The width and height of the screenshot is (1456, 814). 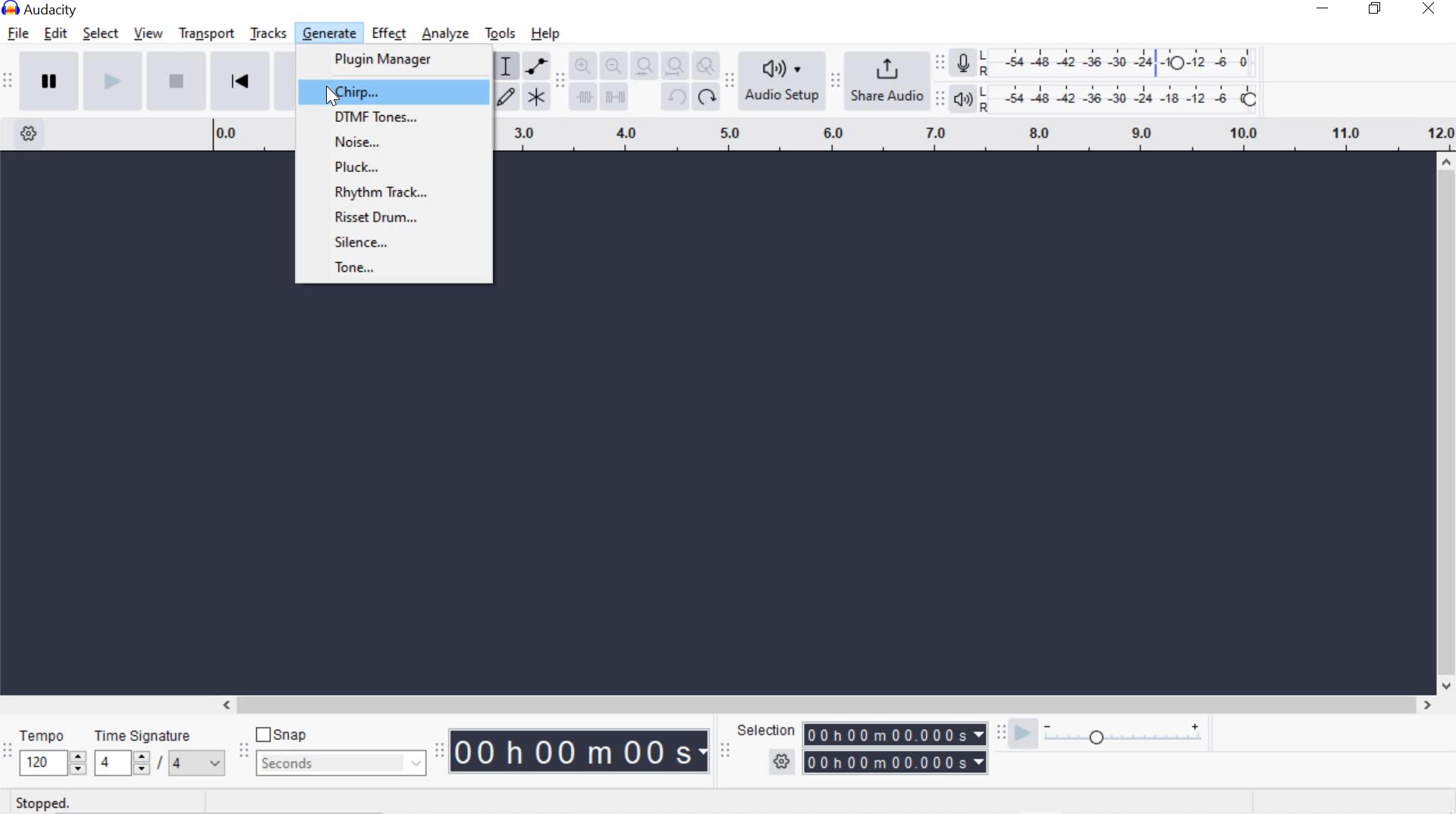 I want to click on risset drum, so click(x=400, y=221).